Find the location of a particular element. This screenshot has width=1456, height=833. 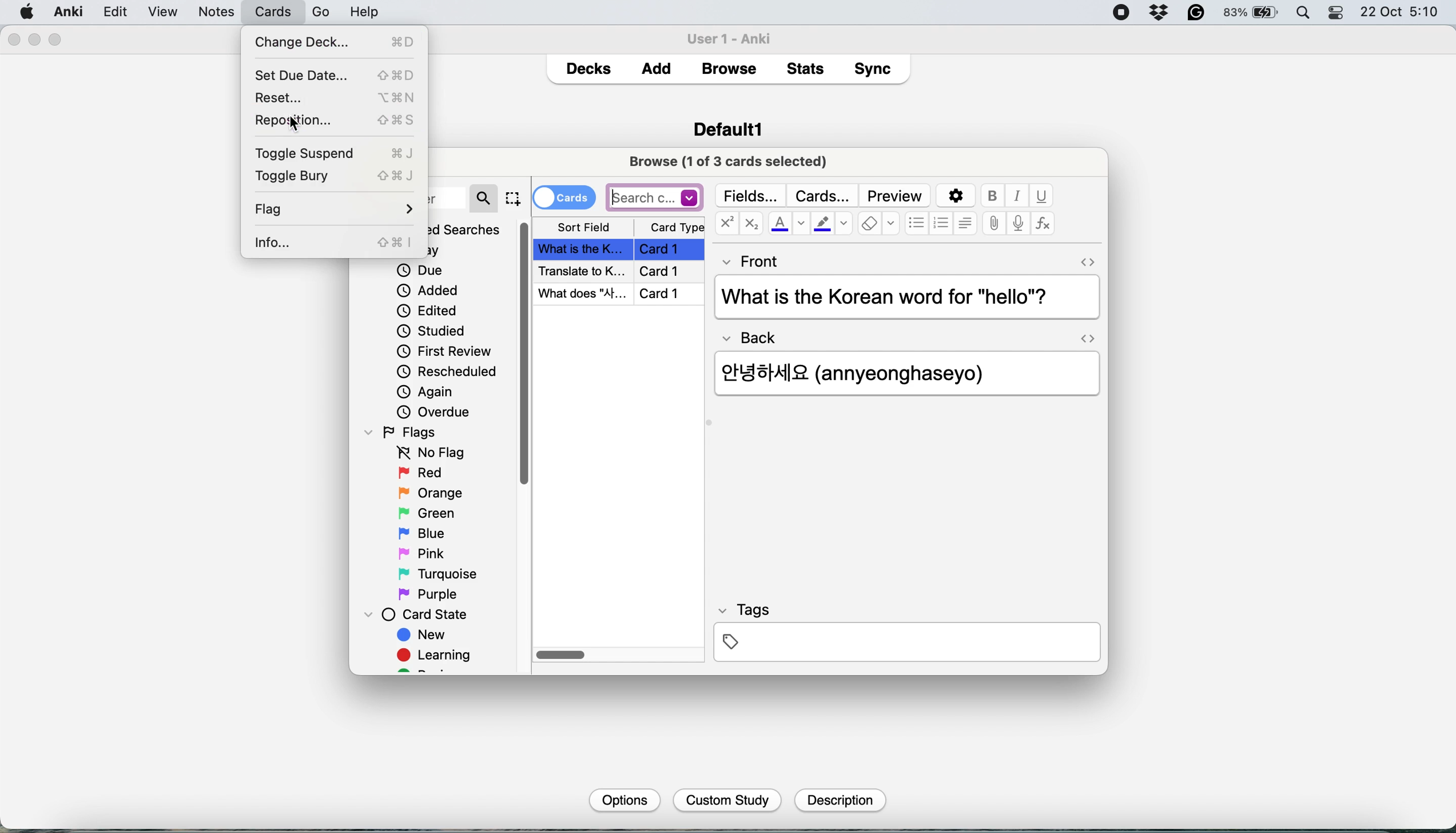

first review is located at coordinates (444, 353).